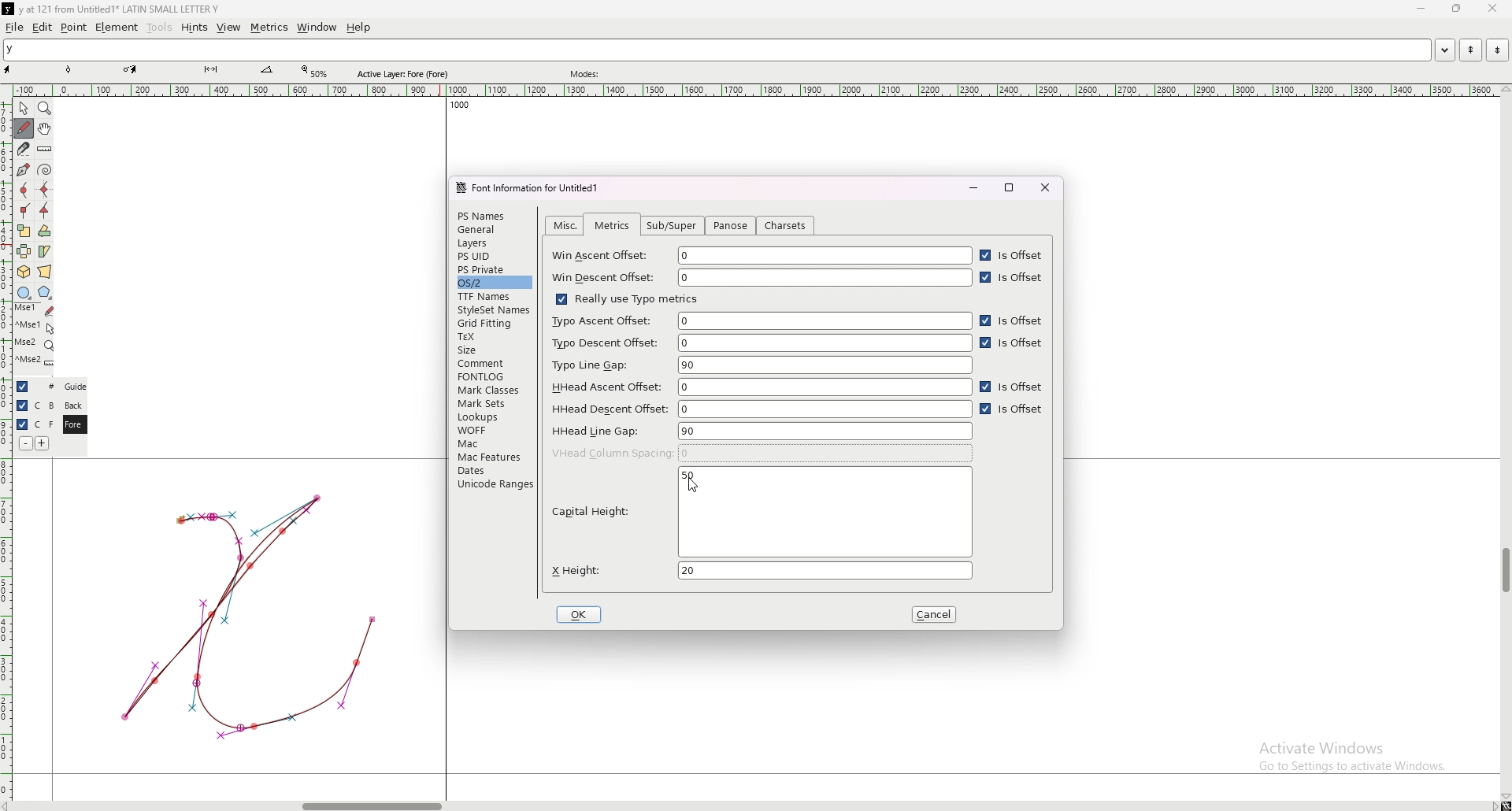 The image size is (1512, 811). I want to click on ps names, so click(492, 215).